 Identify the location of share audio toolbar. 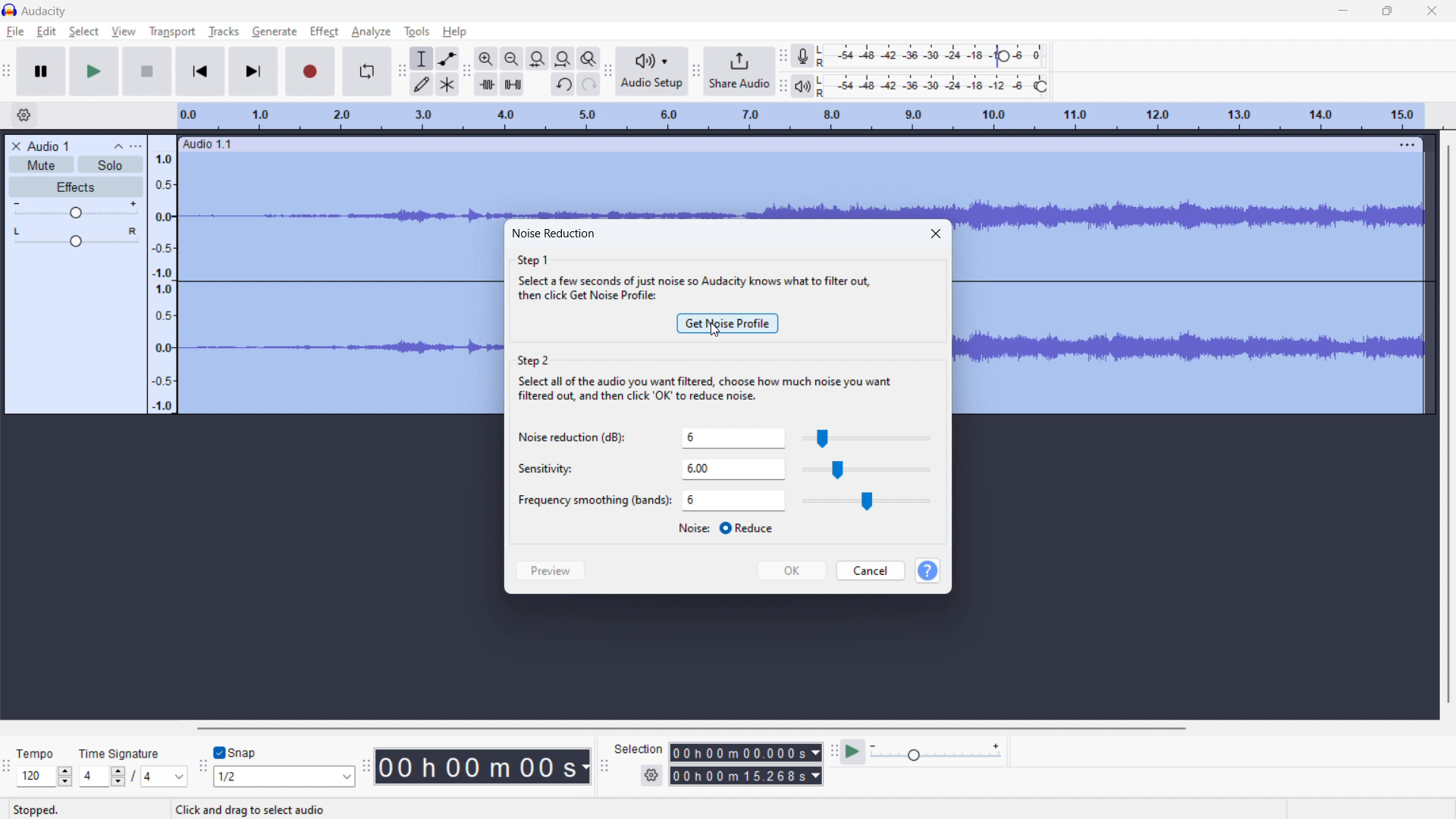
(695, 70).